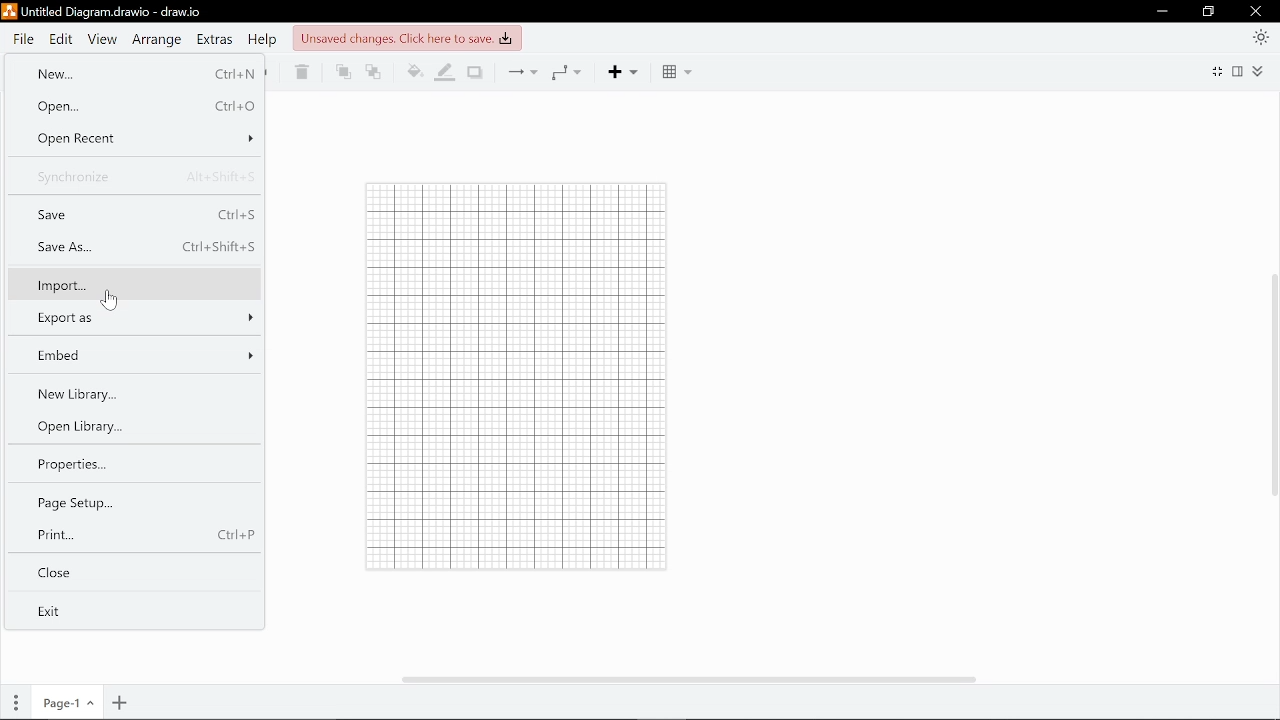  What do you see at coordinates (127, 609) in the screenshot?
I see `Exit` at bounding box center [127, 609].